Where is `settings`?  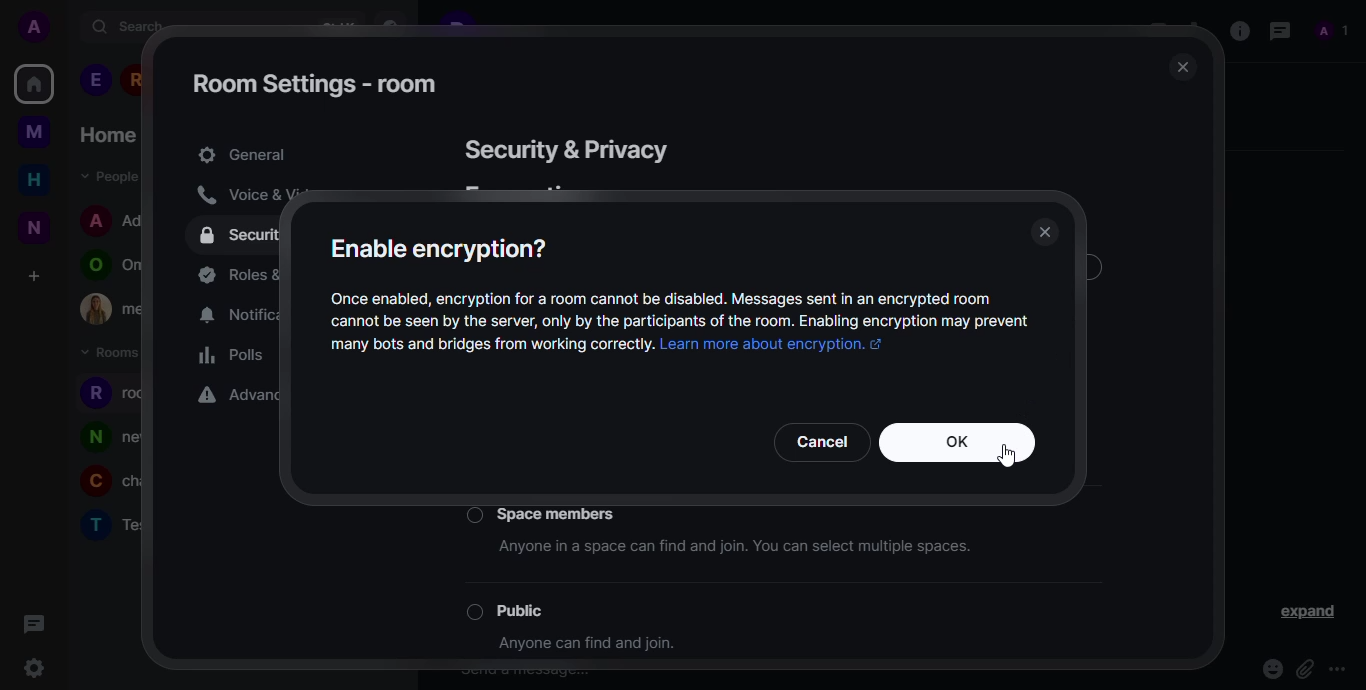 settings is located at coordinates (34, 667).